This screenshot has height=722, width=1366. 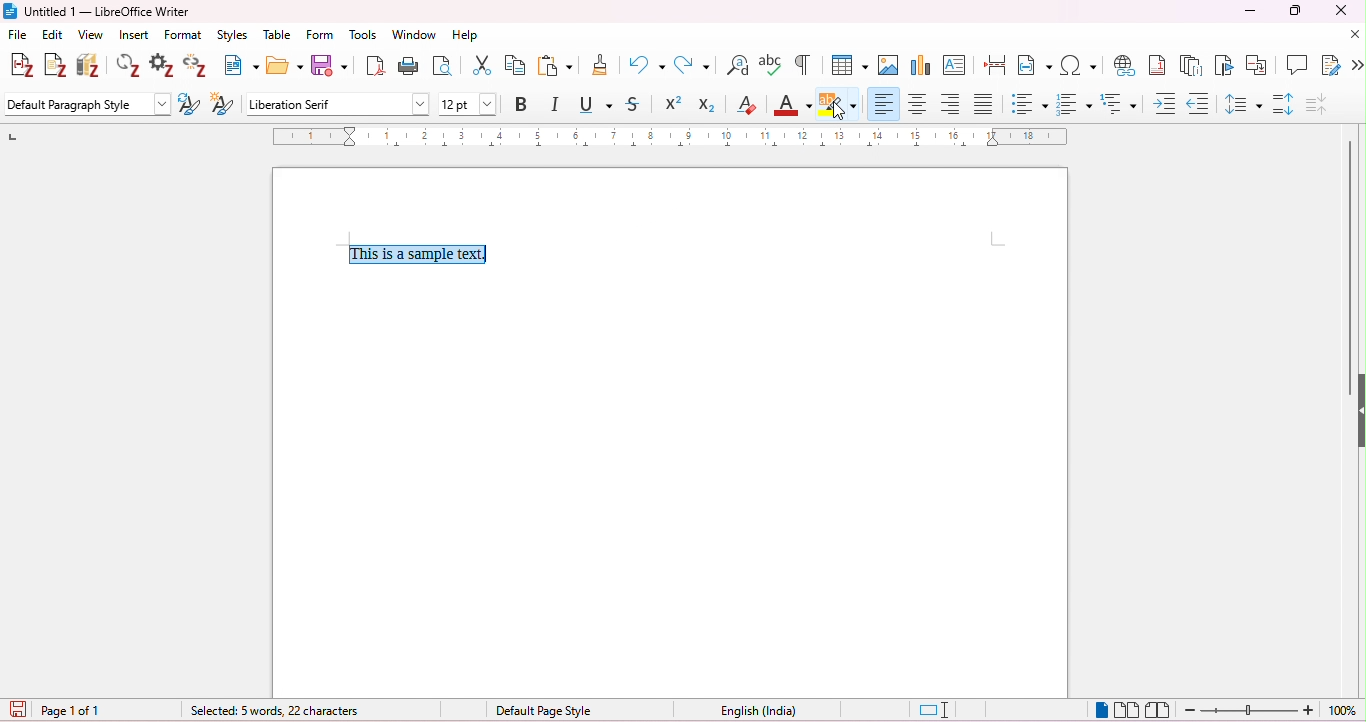 What do you see at coordinates (408, 67) in the screenshot?
I see `print` at bounding box center [408, 67].